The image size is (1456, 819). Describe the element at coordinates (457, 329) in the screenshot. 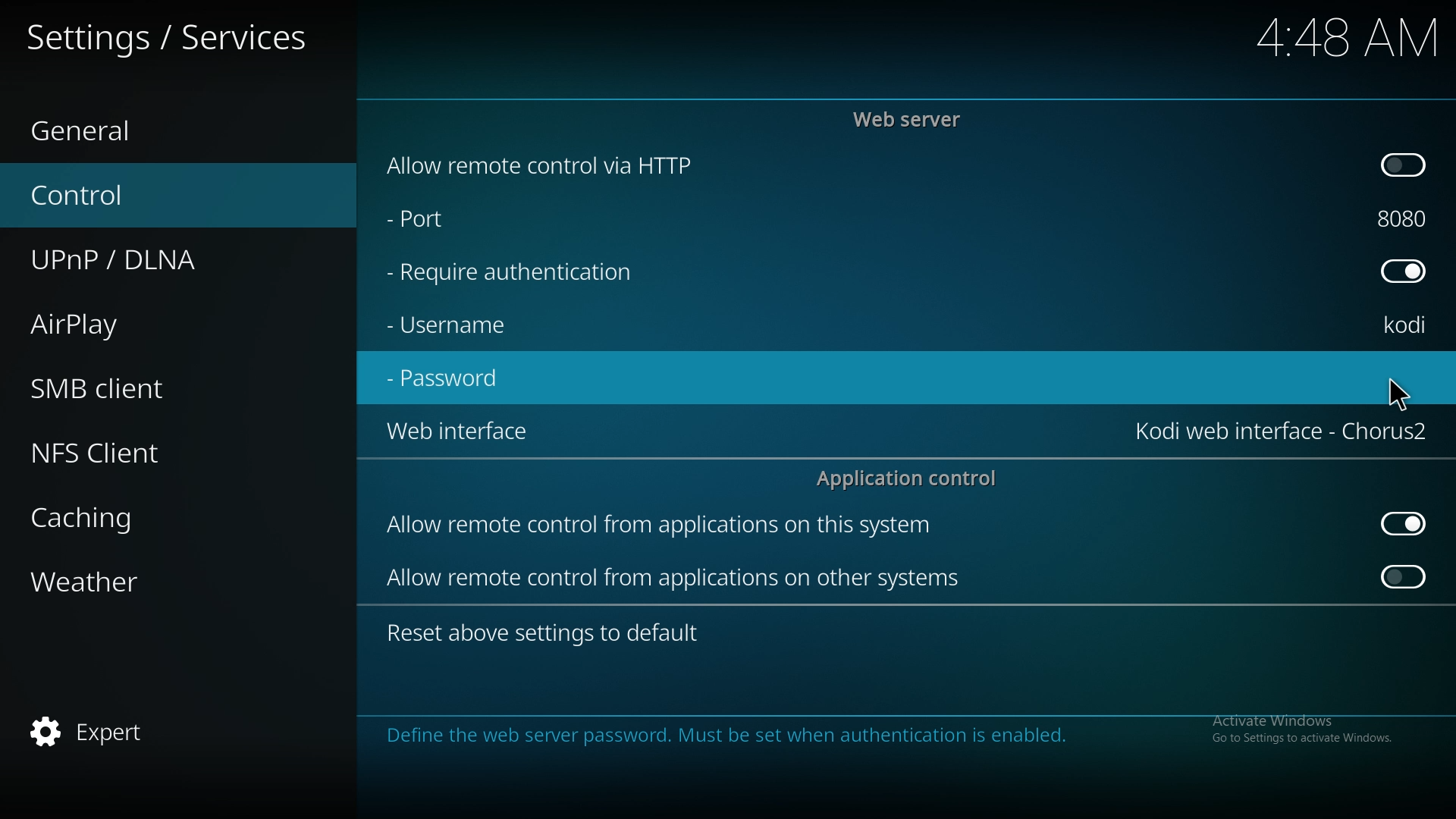

I see `username` at that location.